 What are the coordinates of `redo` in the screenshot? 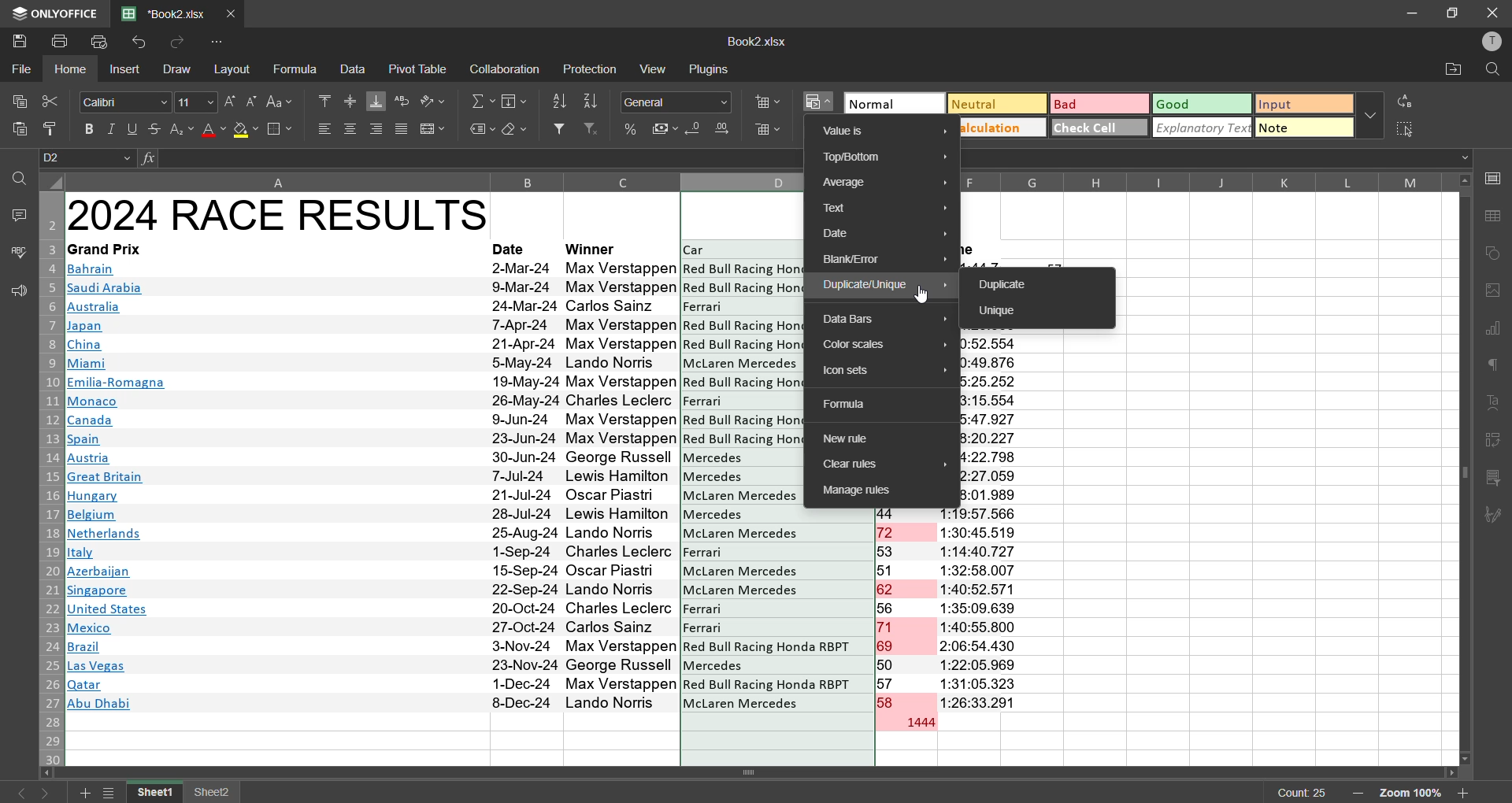 It's located at (174, 43).